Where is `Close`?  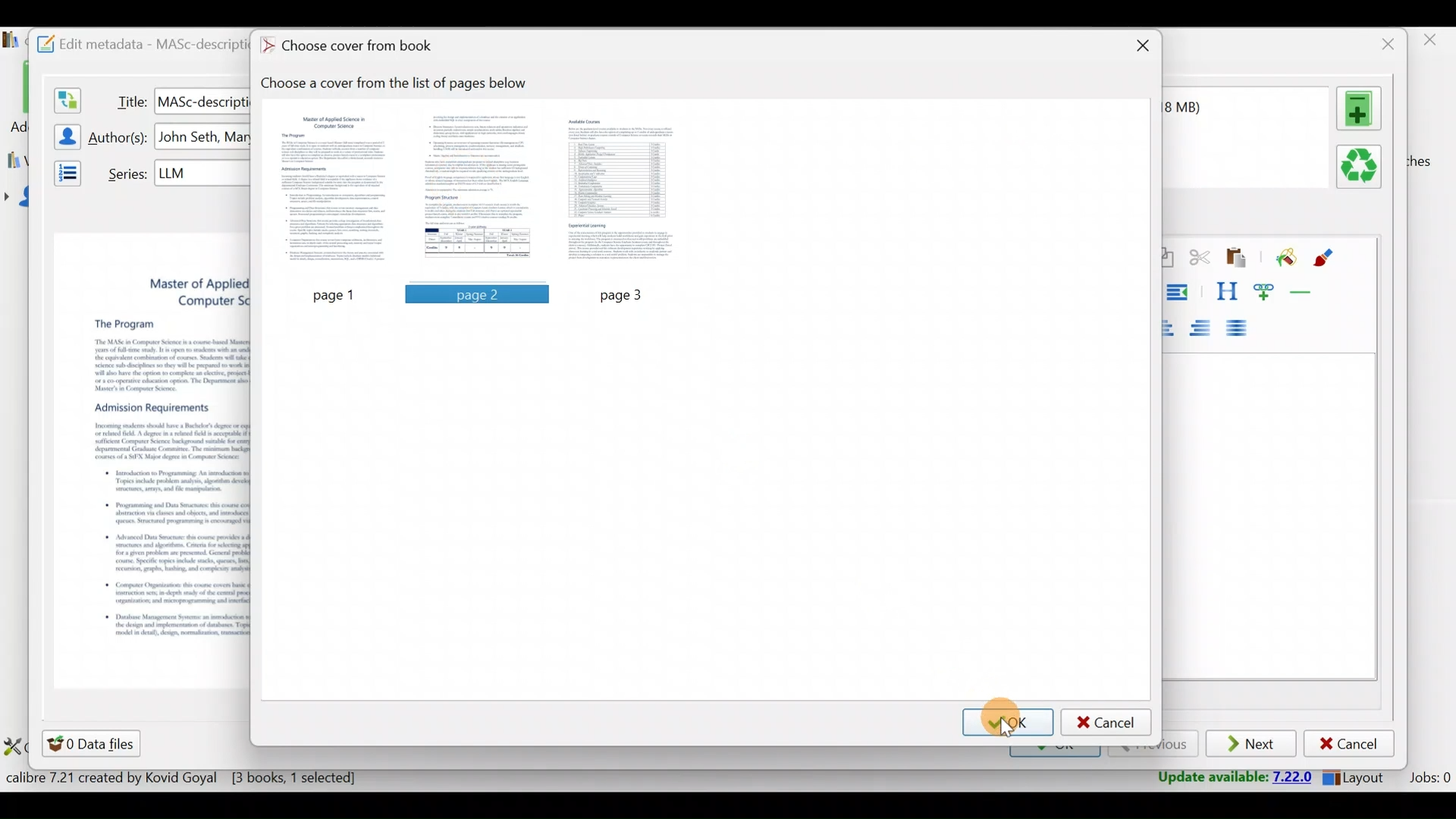 Close is located at coordinates (1140, 48).